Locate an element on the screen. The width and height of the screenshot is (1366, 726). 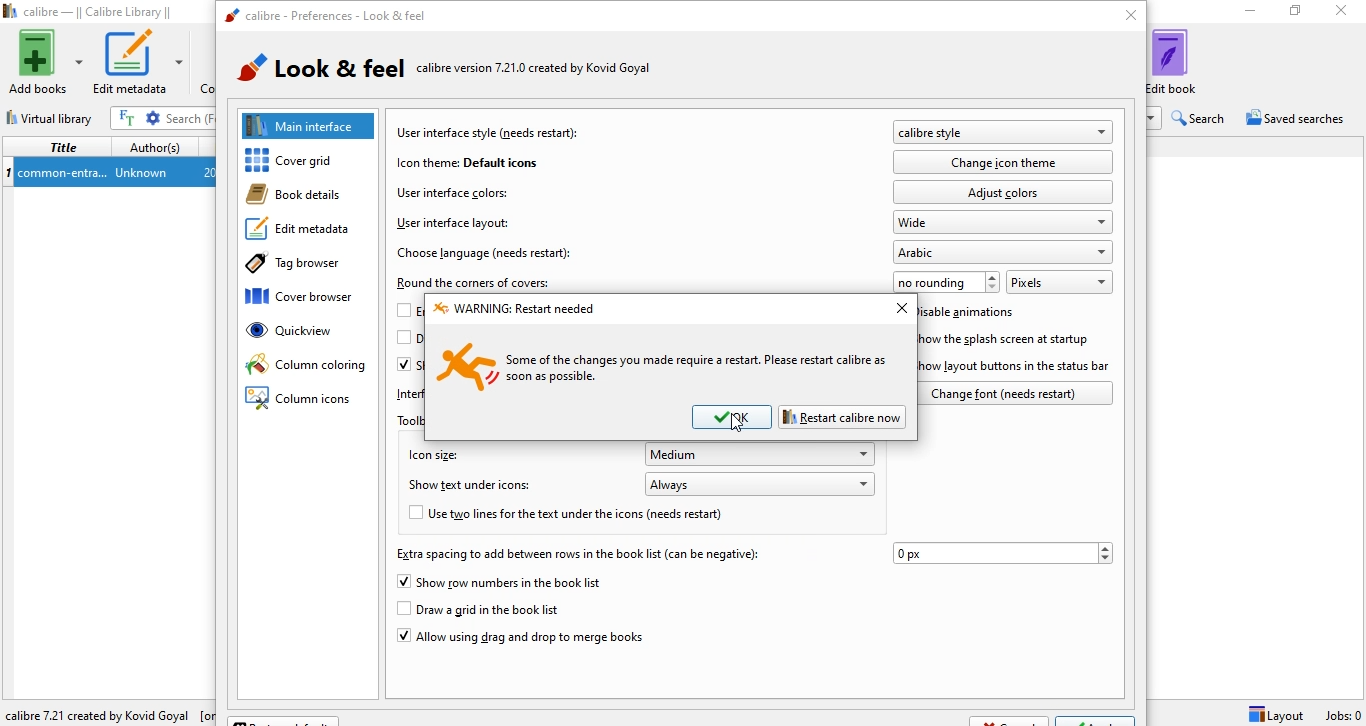
disable notifications on job completion is located at coordinates (405, 342).